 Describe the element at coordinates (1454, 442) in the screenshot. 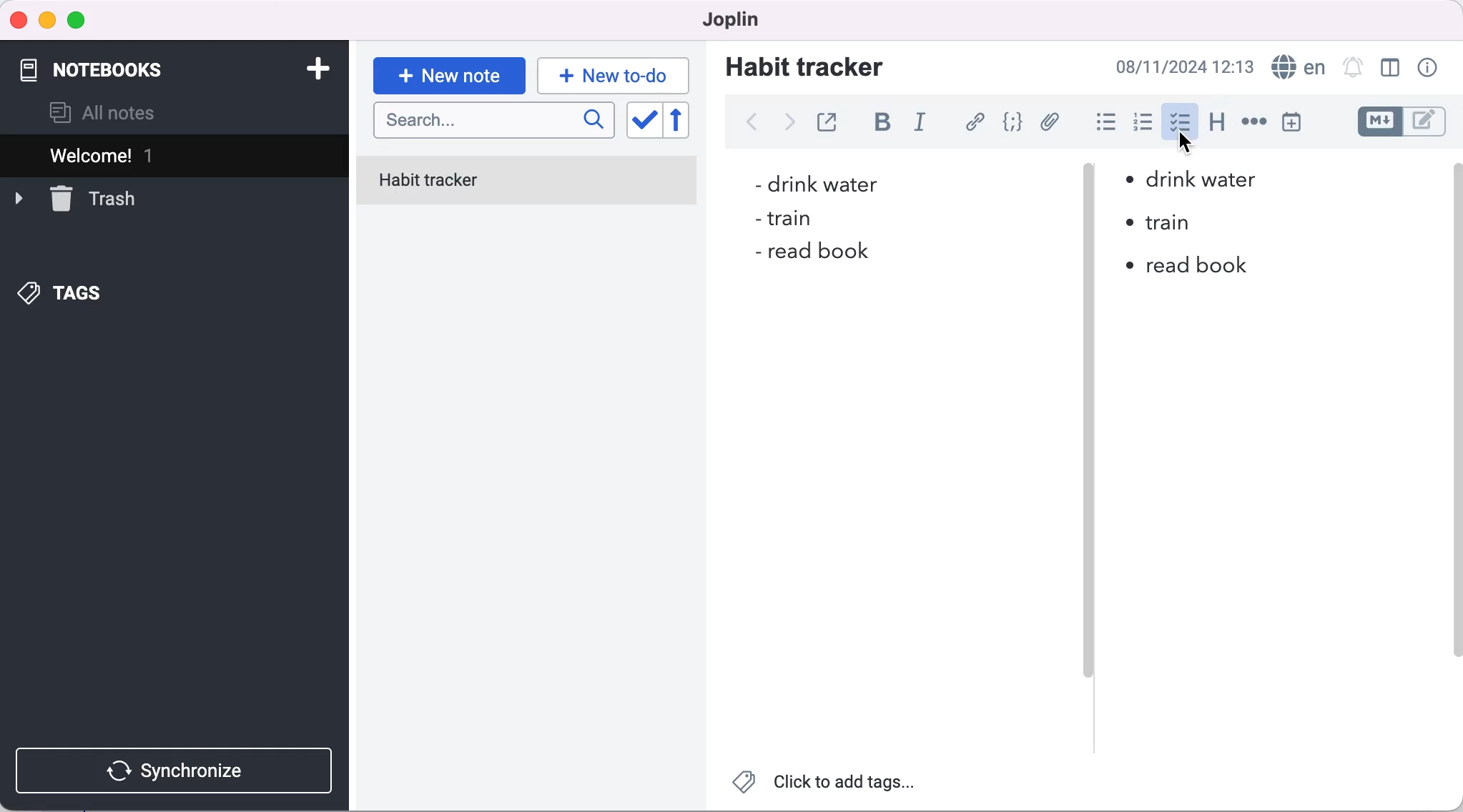

I see `scroll bar` at that location.